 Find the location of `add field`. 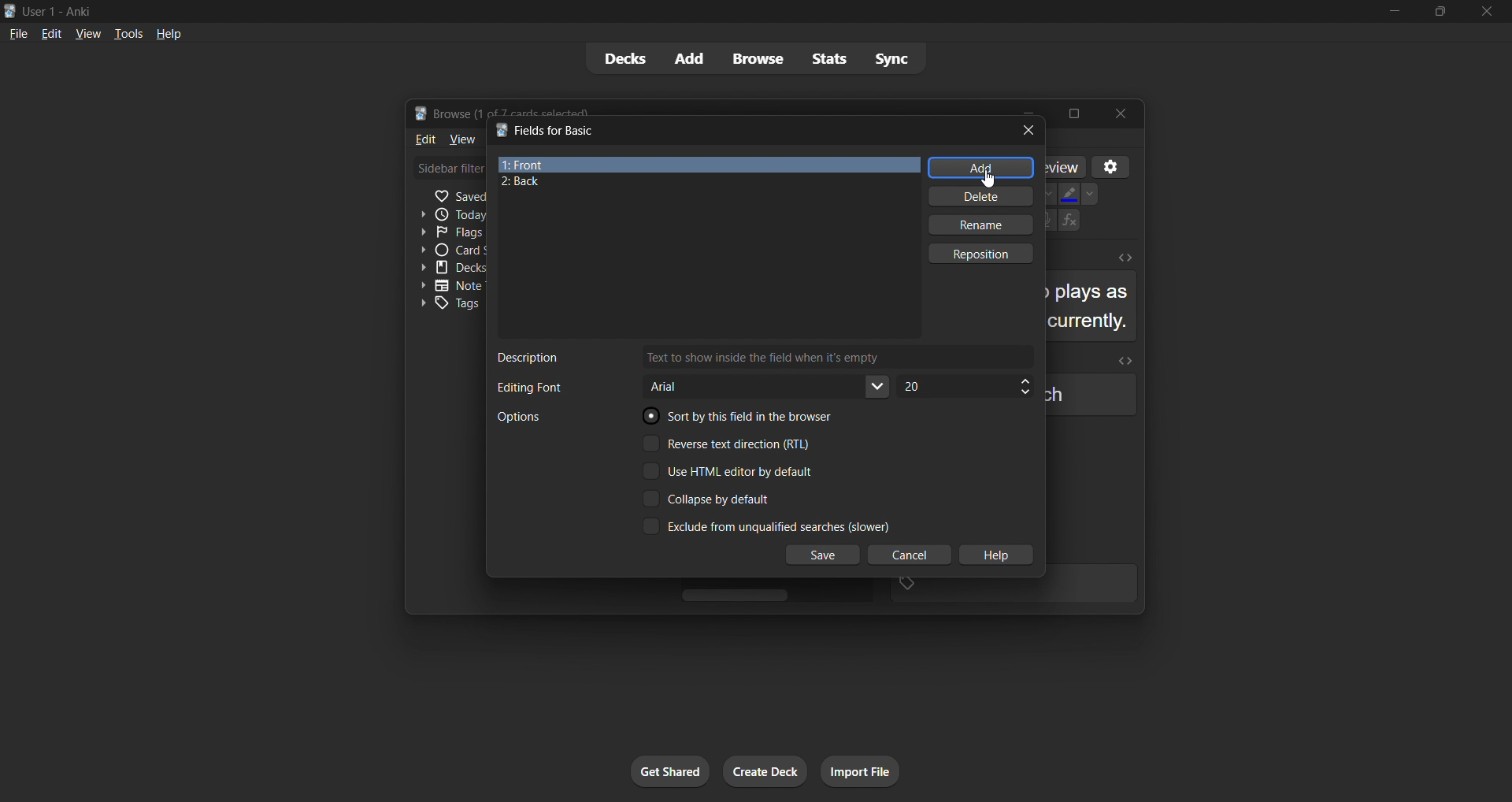

add field is located at coordinates (979, 167).